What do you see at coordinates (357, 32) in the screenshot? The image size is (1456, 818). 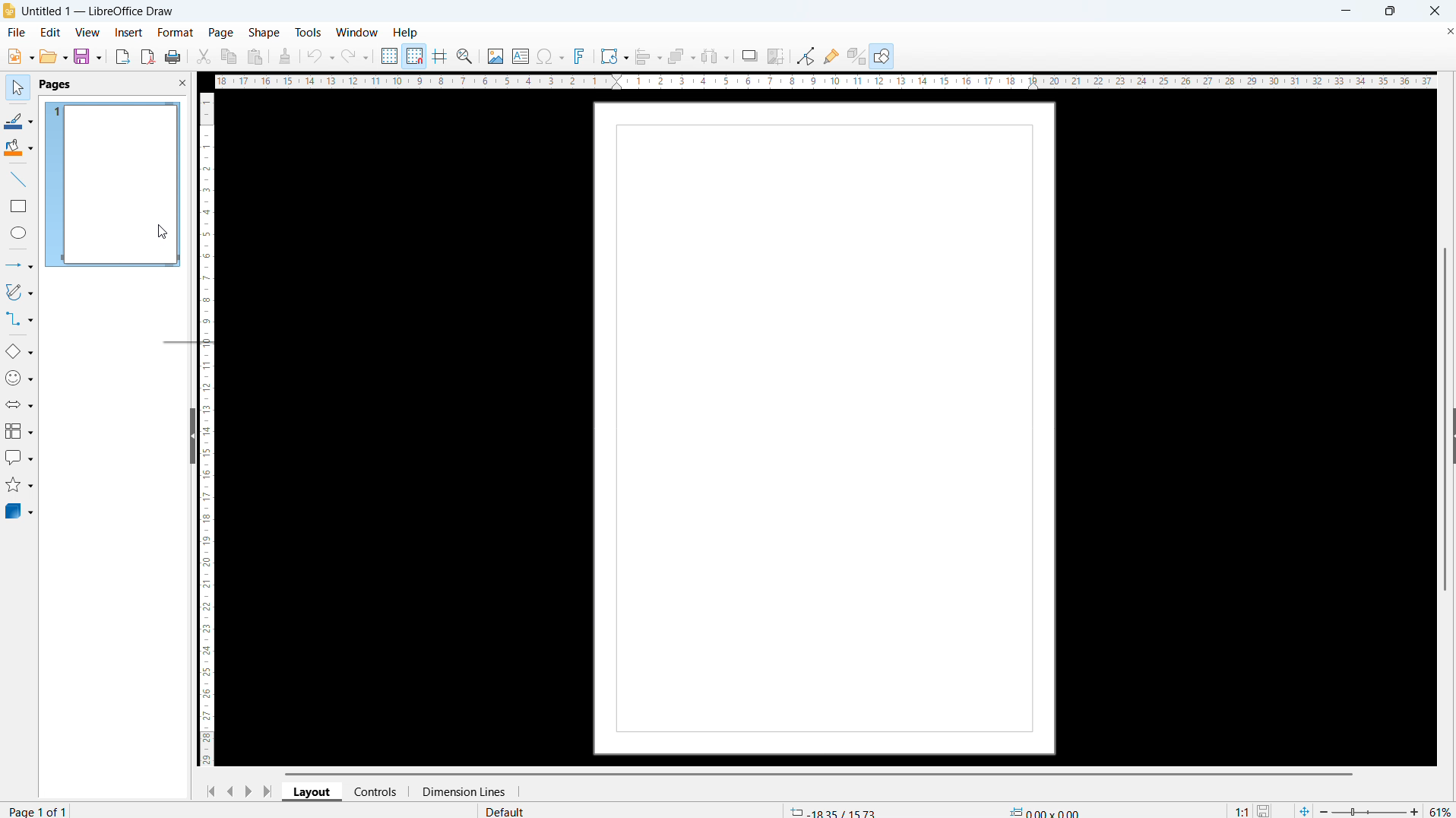 I see `window` at bounding box center [357, 32].